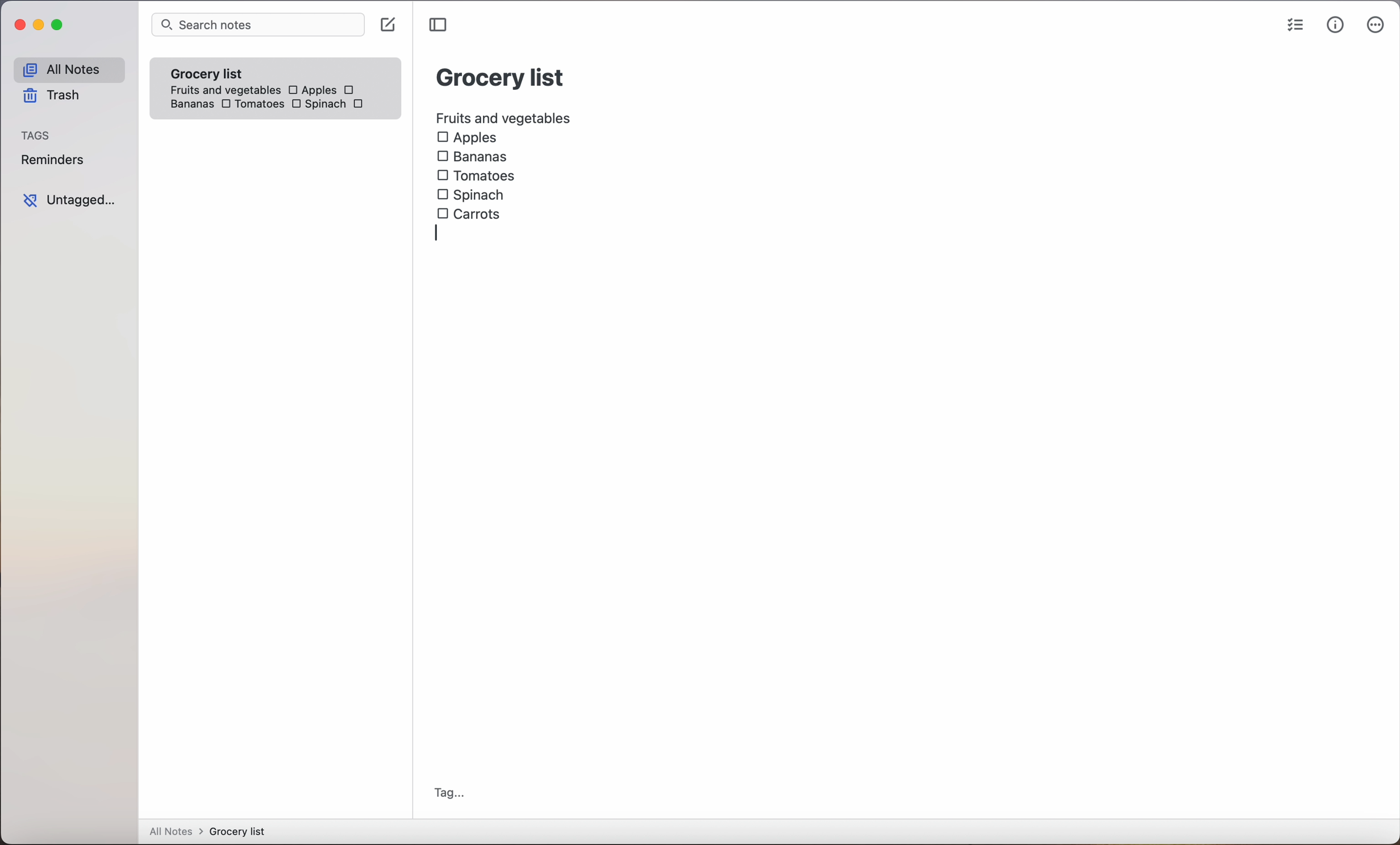  I want to click on all notes, so click(68, 70).